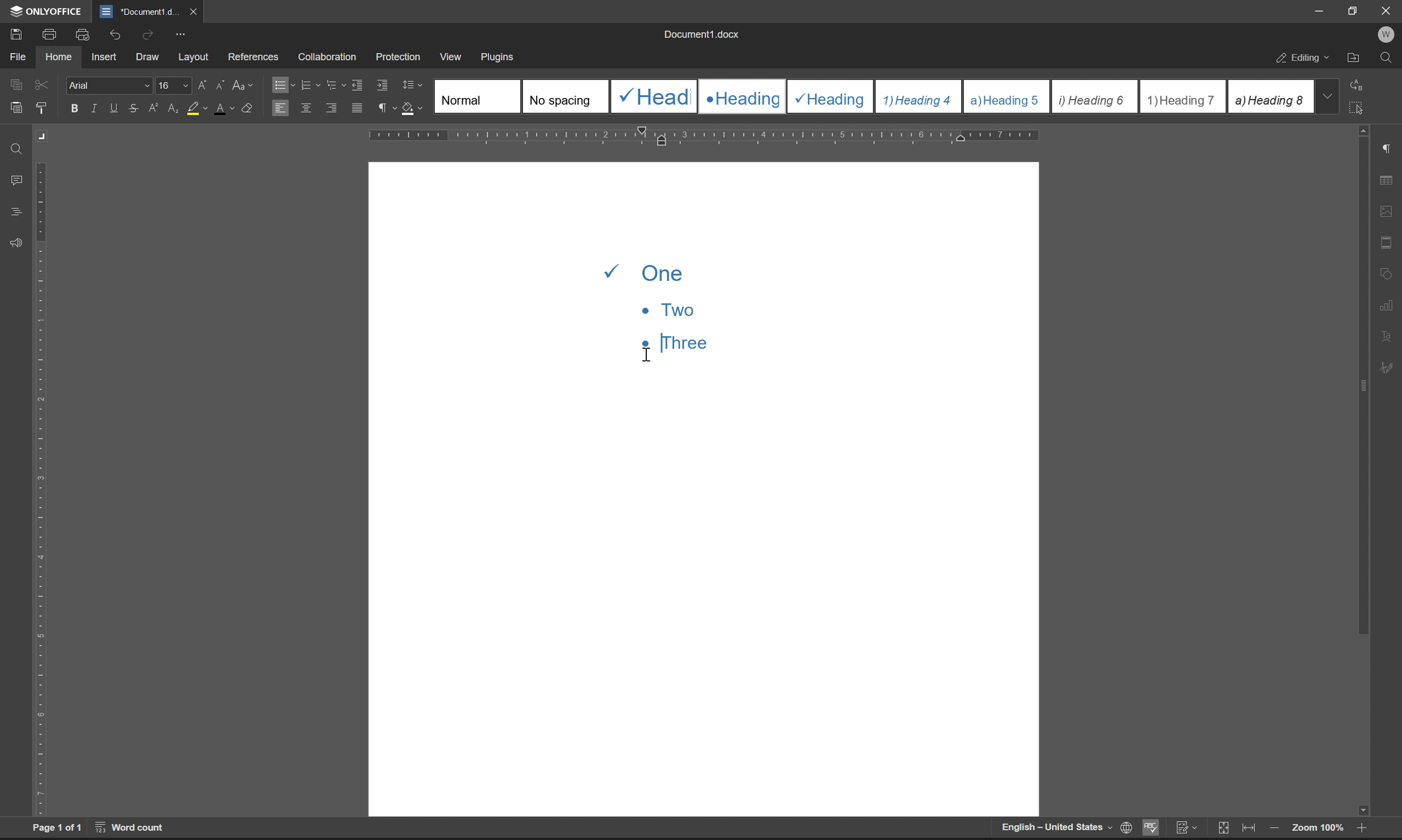 Image resolution: width=1402 pixels, height=840 pixels. Describe the element at coordinates (1007, 96) in the screenshot. I see `Heading 5` at that location.